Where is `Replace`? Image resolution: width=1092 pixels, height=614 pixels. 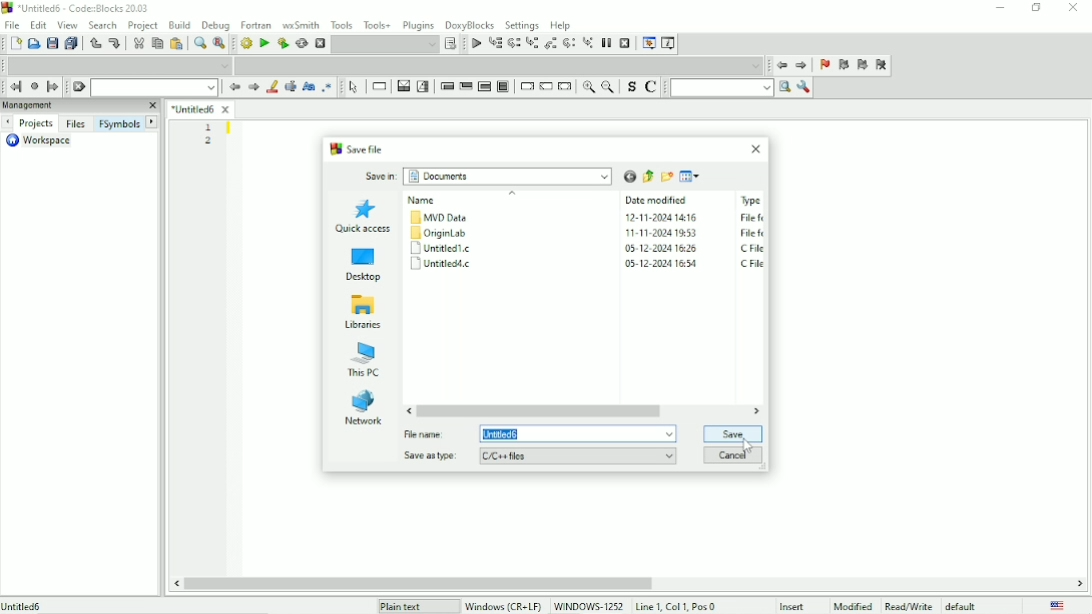
Replace is located at coordinates (219, 45).